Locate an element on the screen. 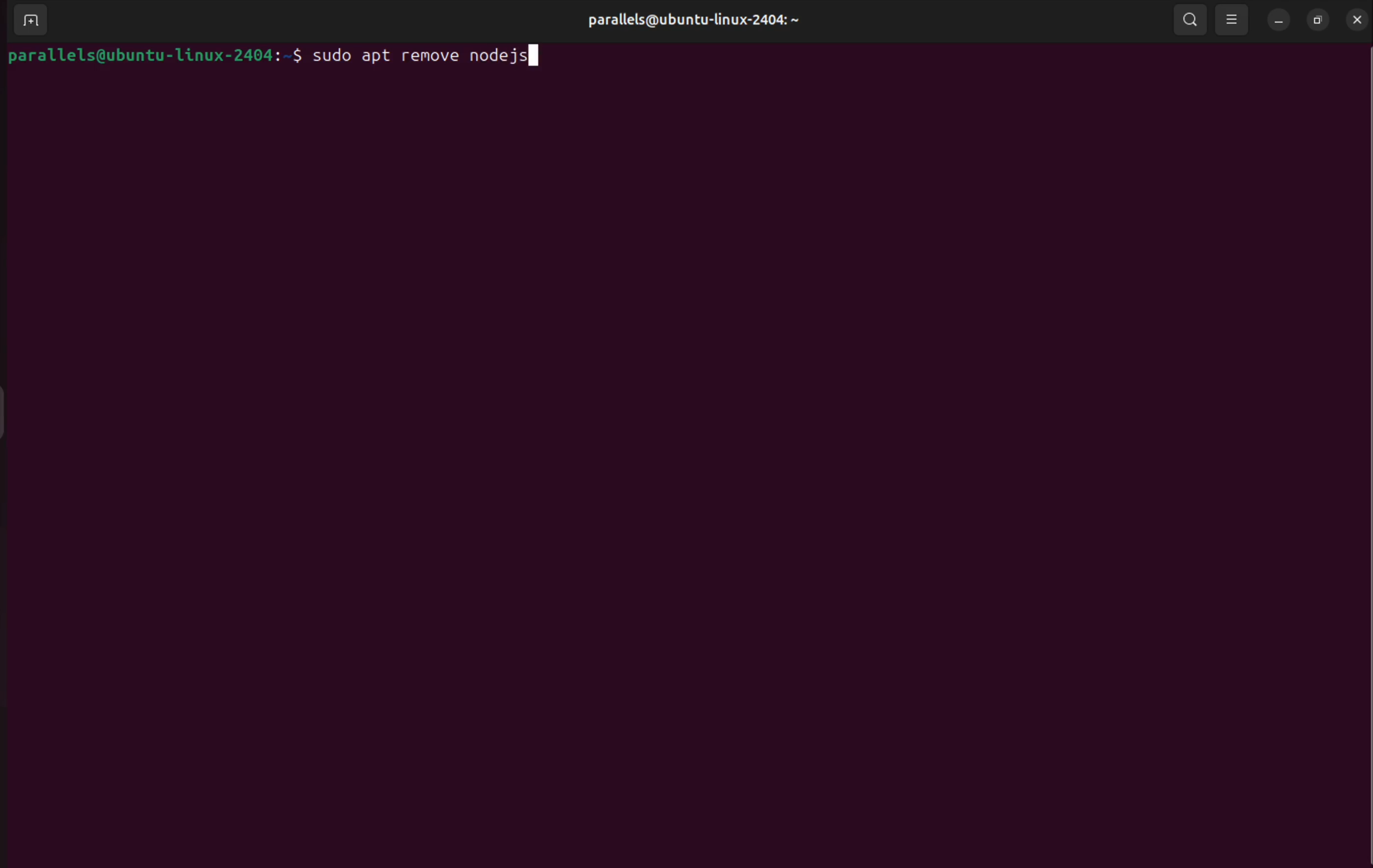 This screenshot has width=1373, height=868. resize is located at coordinates (1319, 21).